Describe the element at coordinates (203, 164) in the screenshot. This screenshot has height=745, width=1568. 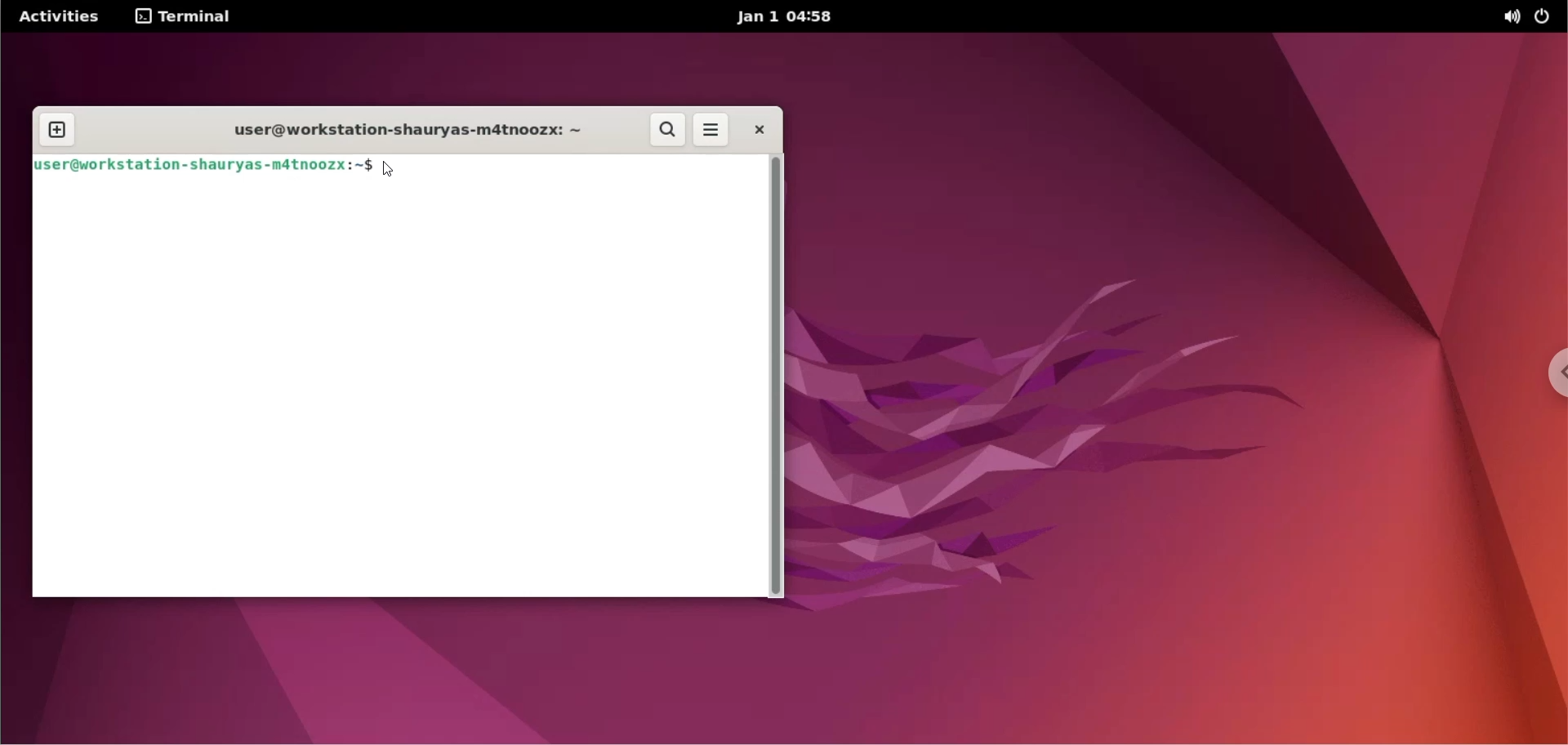
I see `luser@workstation-shauryas-mdtnoozx:~$ ` at that location.